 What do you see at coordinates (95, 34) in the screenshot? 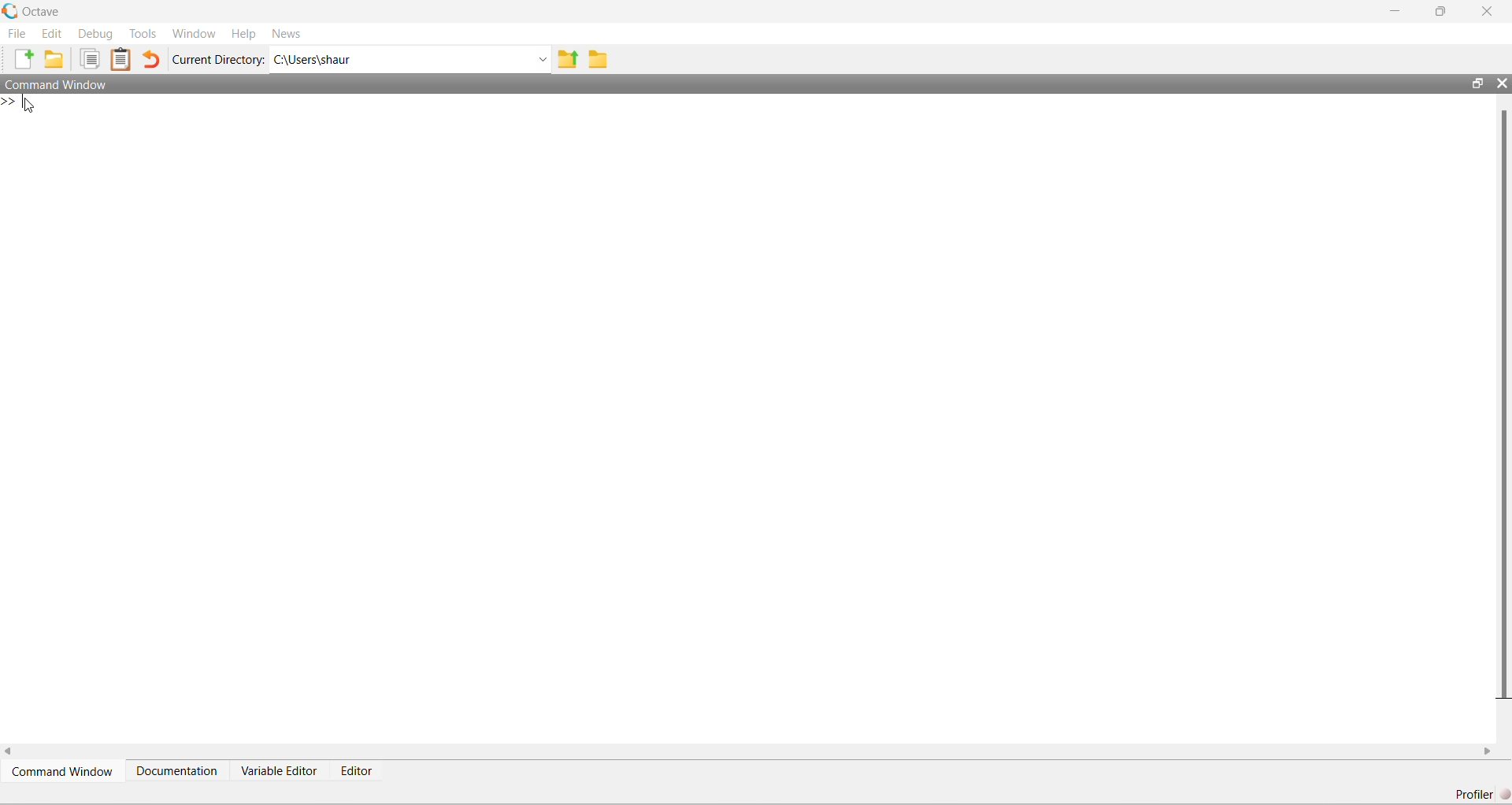
I see `Debug` at bounding box center [95, 34].